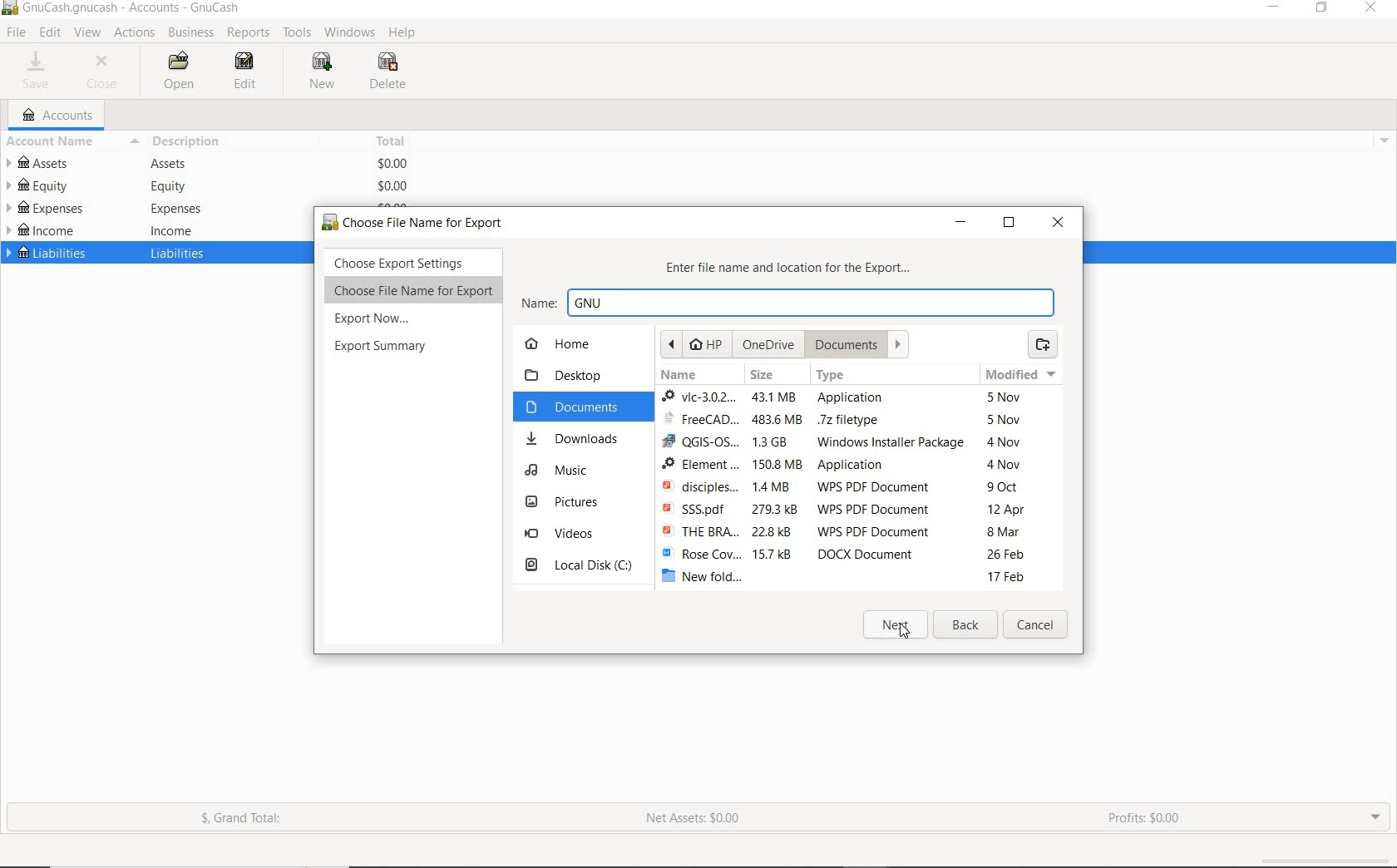  What do you see at coordinates (906, 633) in the screenshot?
I see `cursor` at bounding box center [906, 633].